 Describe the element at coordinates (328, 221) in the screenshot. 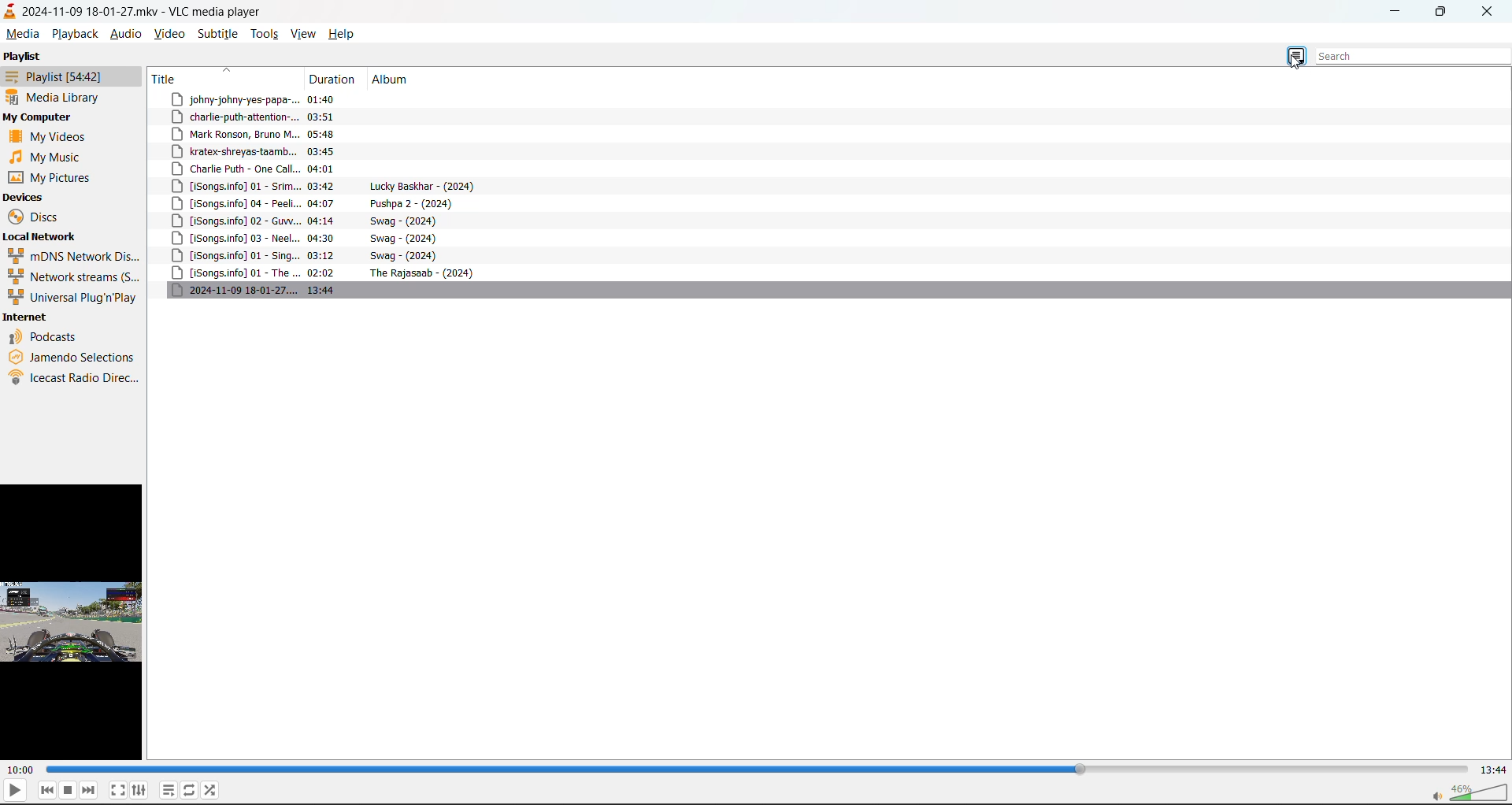

I see `track title, duration and album` at that location.